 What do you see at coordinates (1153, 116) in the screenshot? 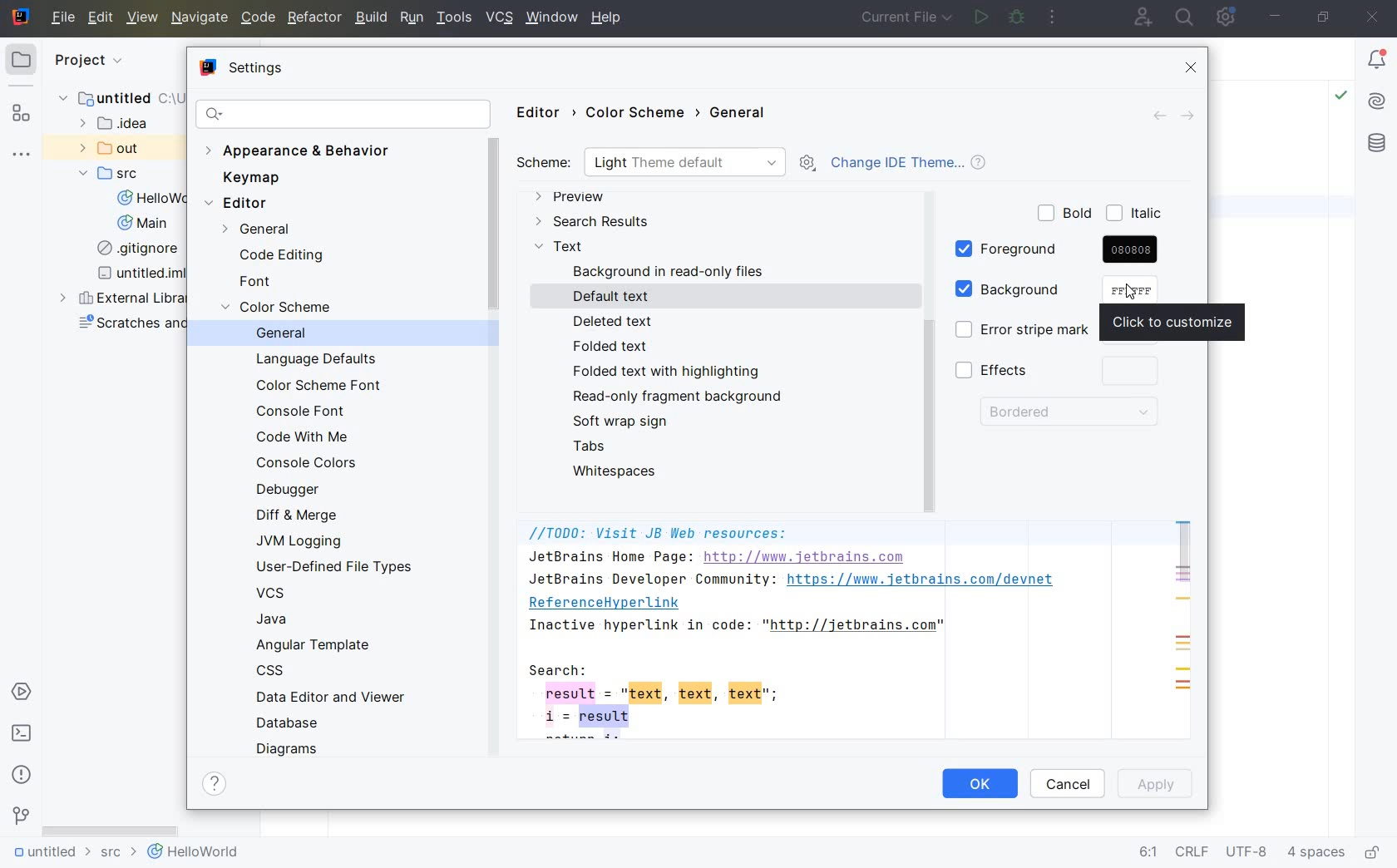
I see `BACK` at bounding box center [1153, 116].